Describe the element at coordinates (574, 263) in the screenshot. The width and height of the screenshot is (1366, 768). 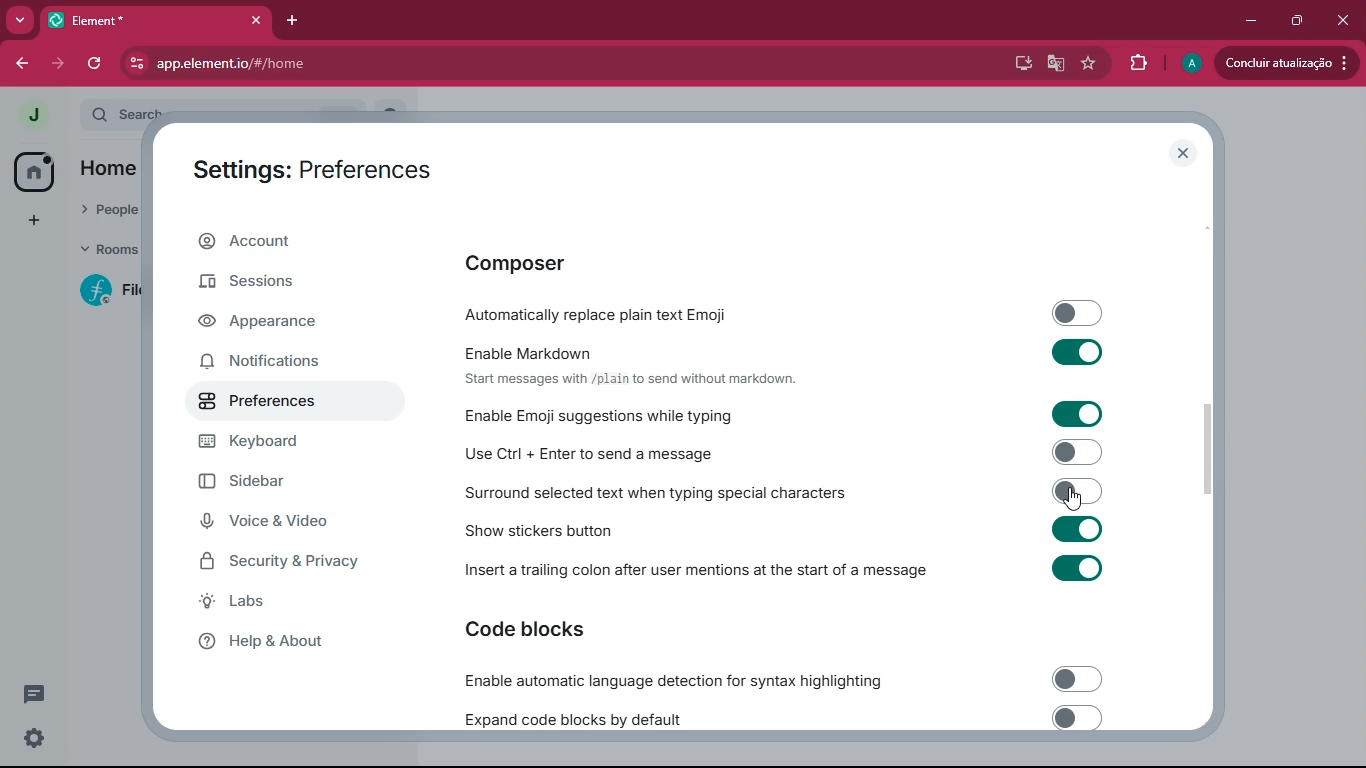
I see `composer` at that location.